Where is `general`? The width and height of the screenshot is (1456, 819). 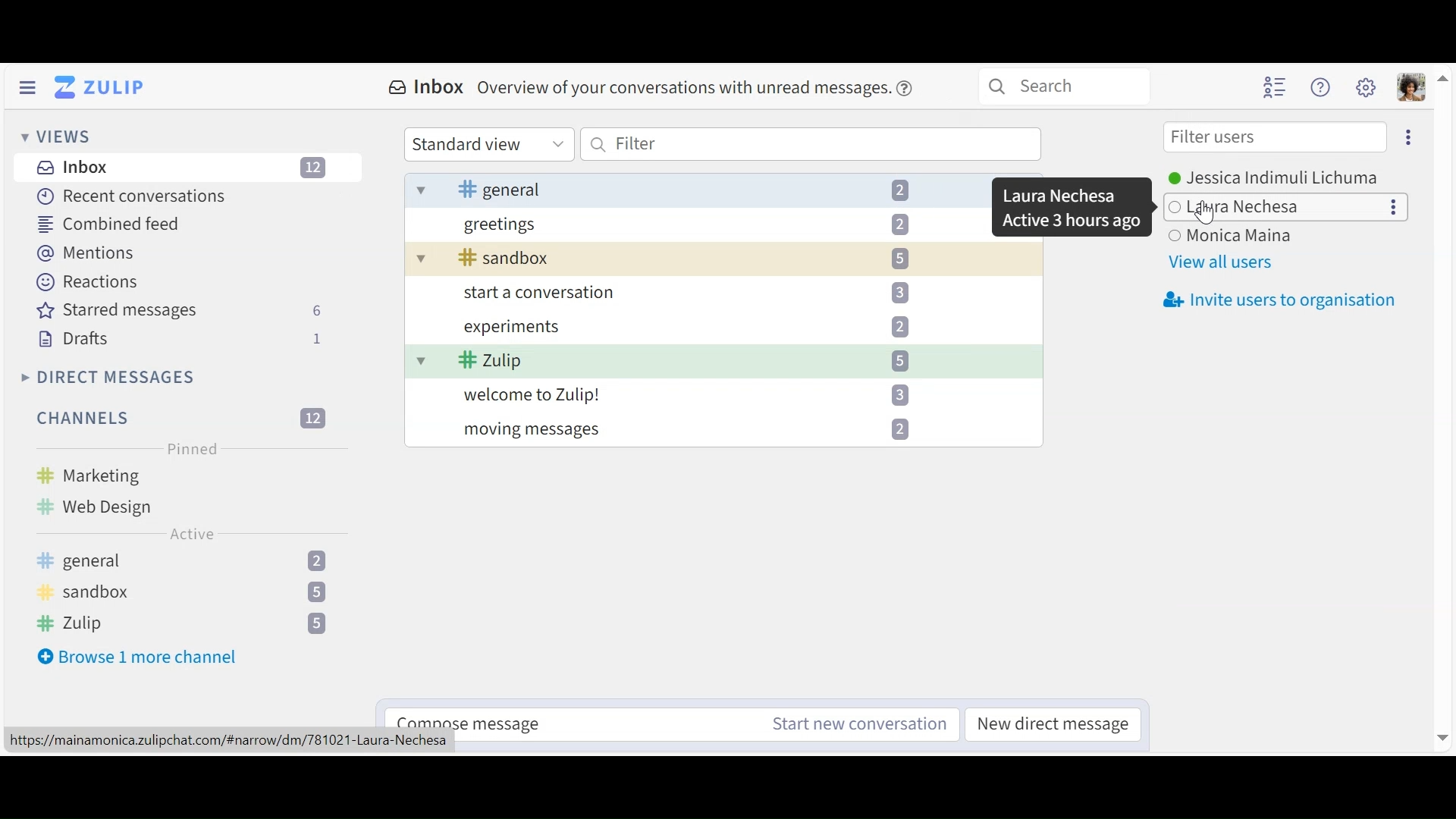 general is located at coordinates (662, 188).